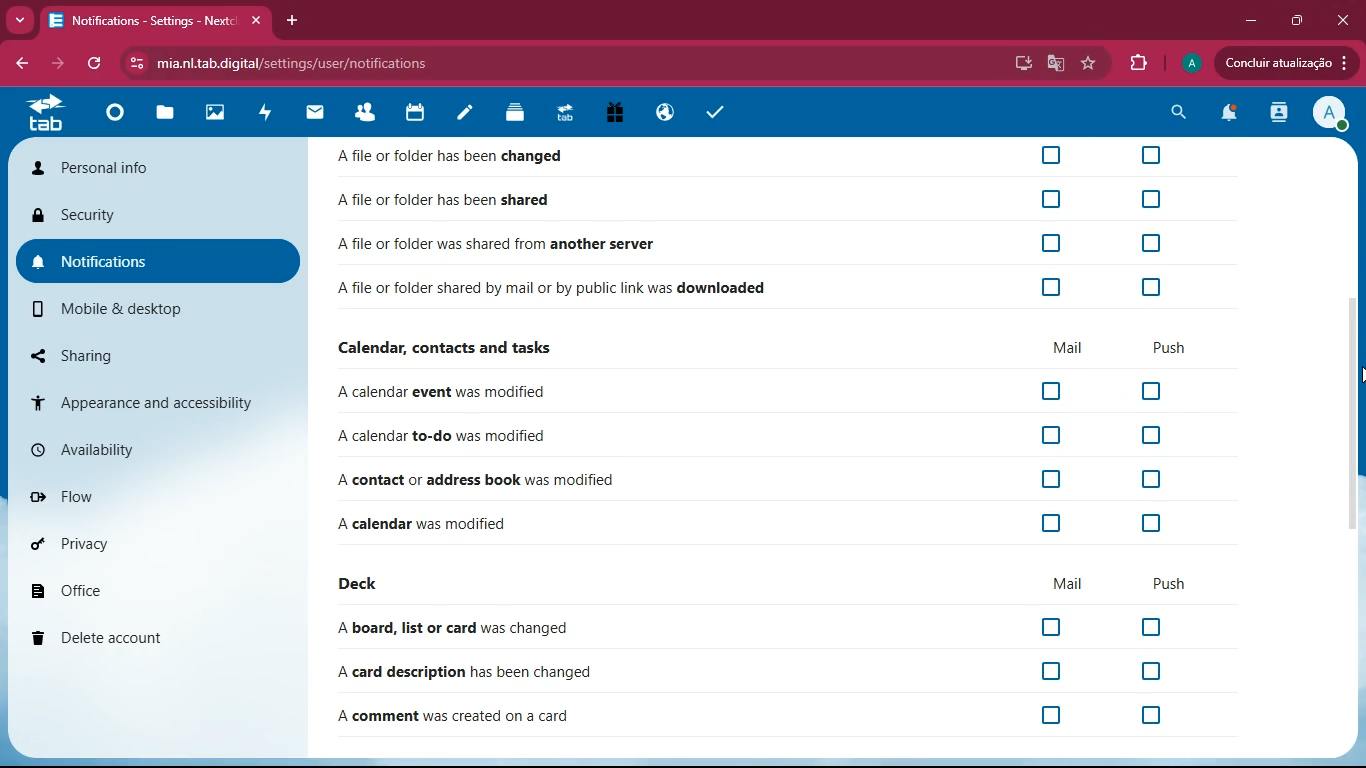 This screenshot has height=768, width=1366. Describe the element at coordinates (477, 481) in the screenshot. I see `A contact or address book was modified` at that location.